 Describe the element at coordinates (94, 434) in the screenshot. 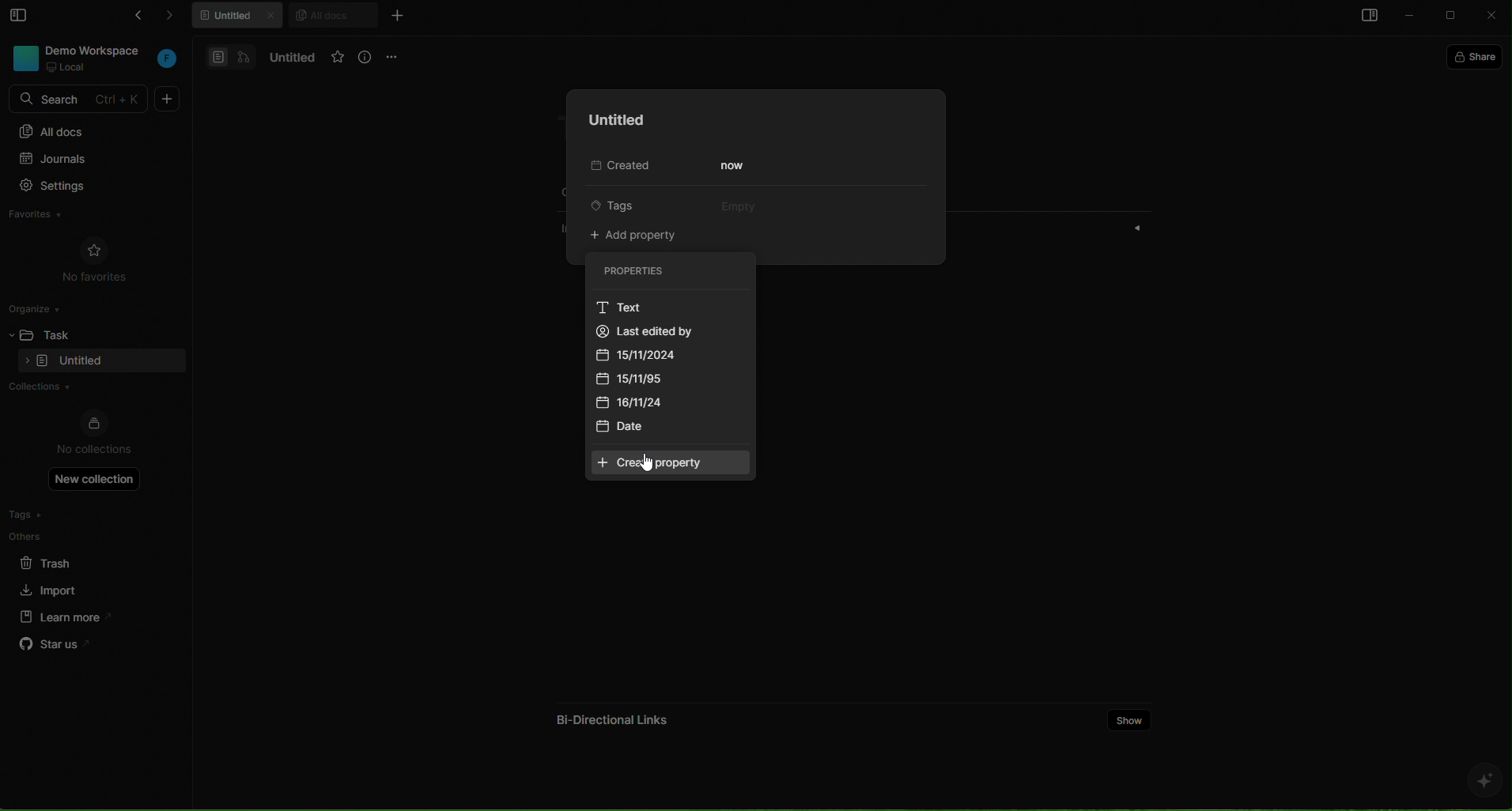

I see `no collections` at that location.